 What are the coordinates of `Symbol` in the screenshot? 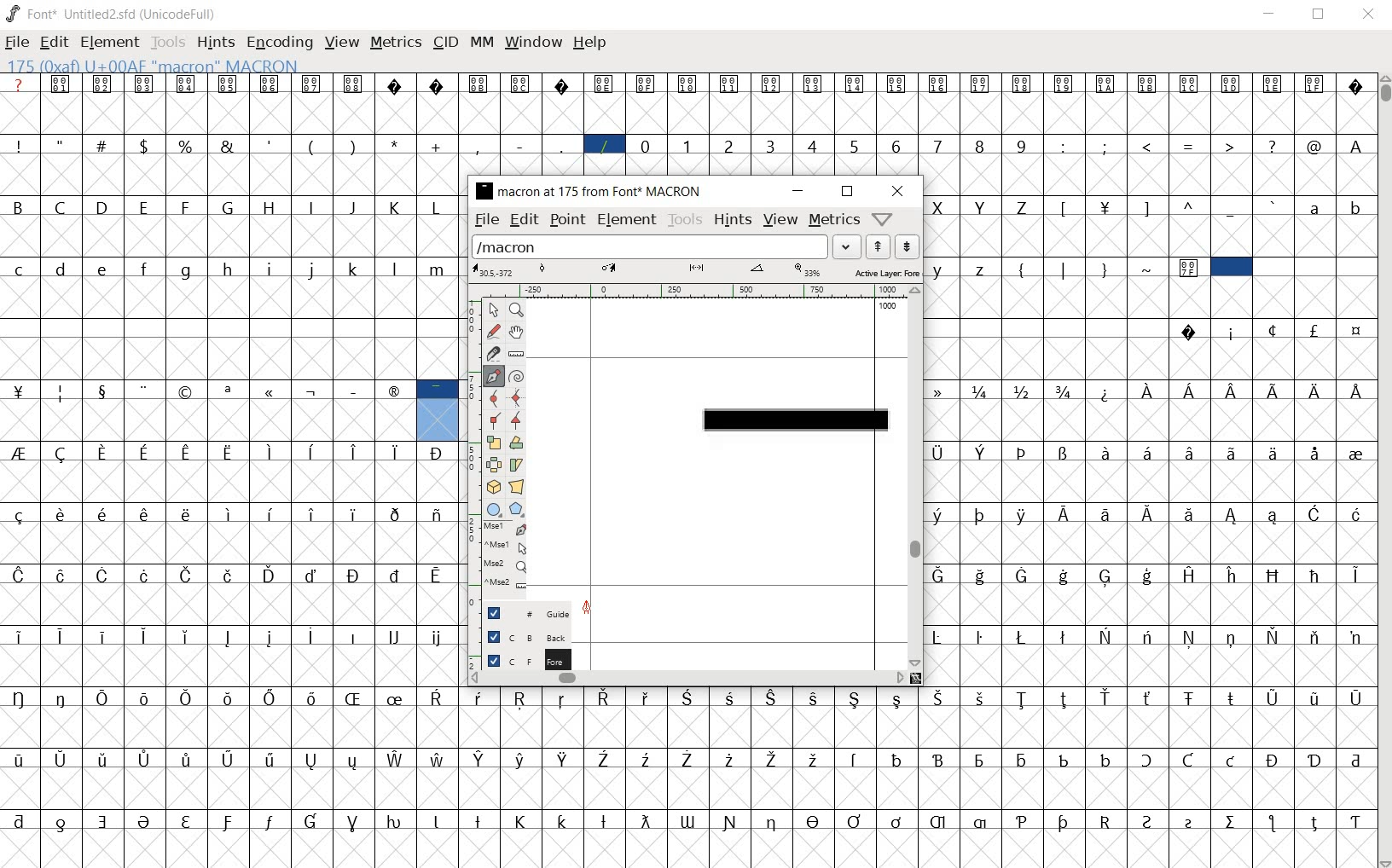 It's located at (1354, 820).